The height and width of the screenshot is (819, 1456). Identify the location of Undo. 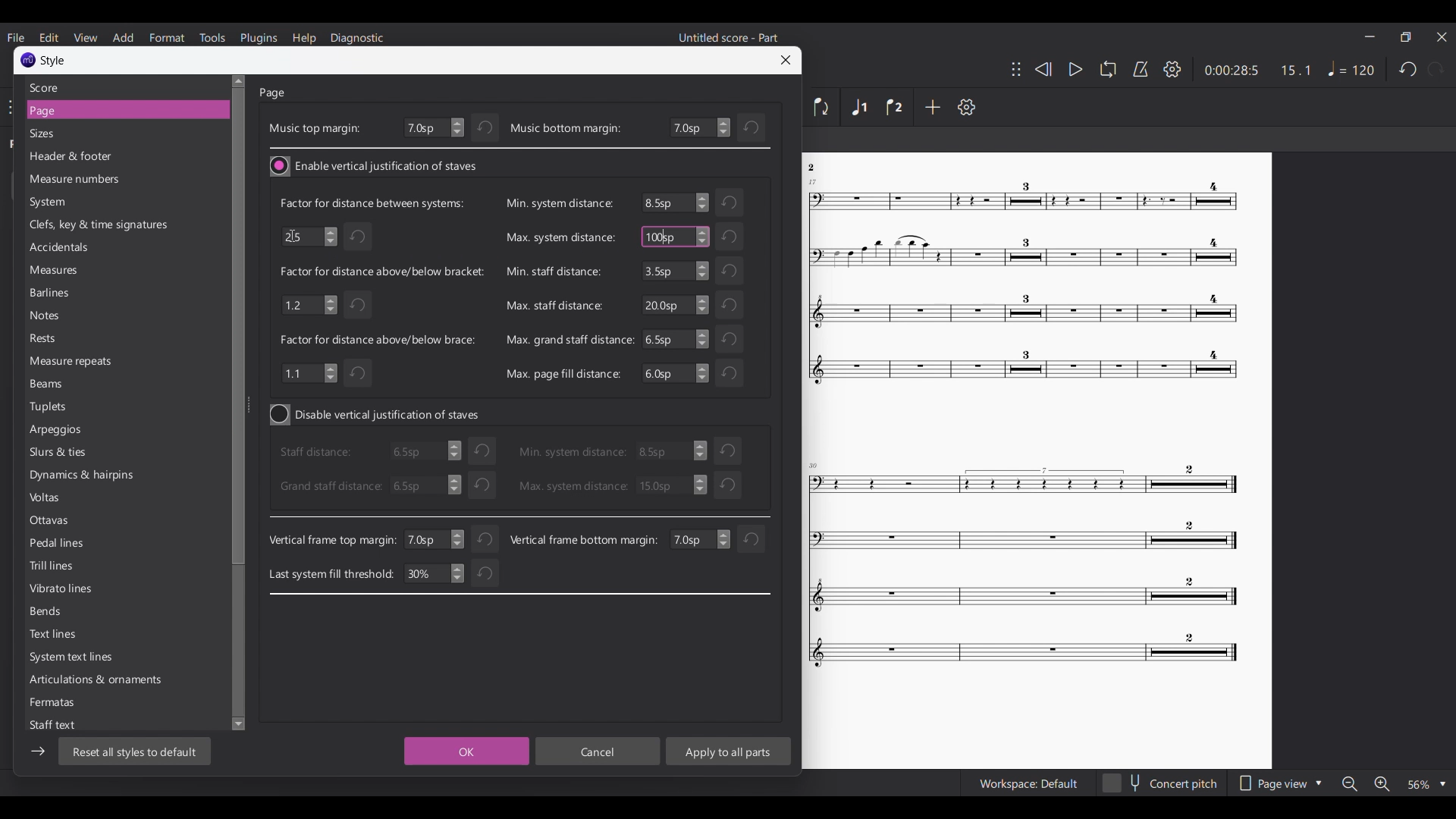
(485, 128).